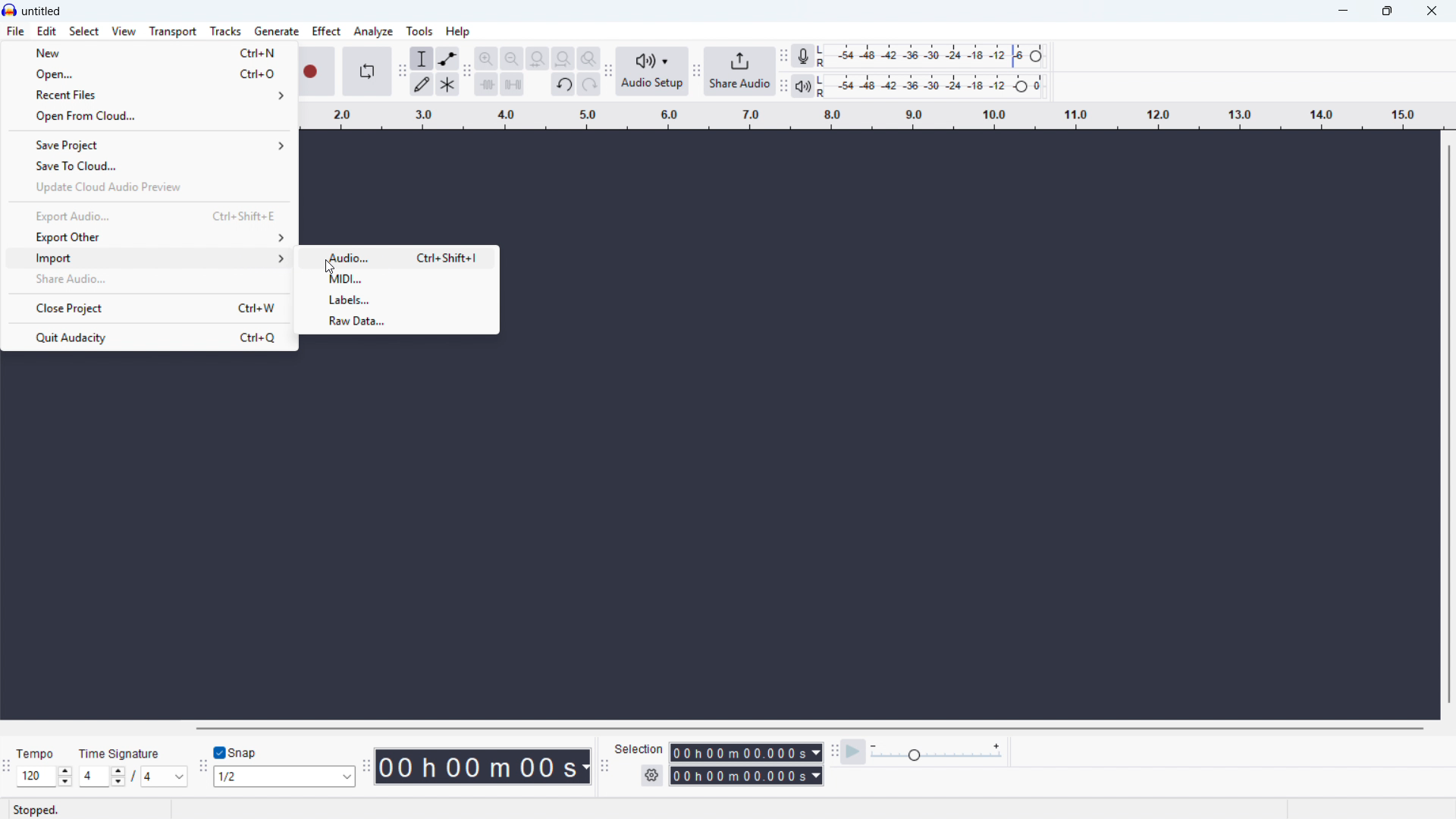  What do you see at coordinates (467, 72) in the screenshot?
I see `Edit toolbar ` at bounding box center [467, 72].